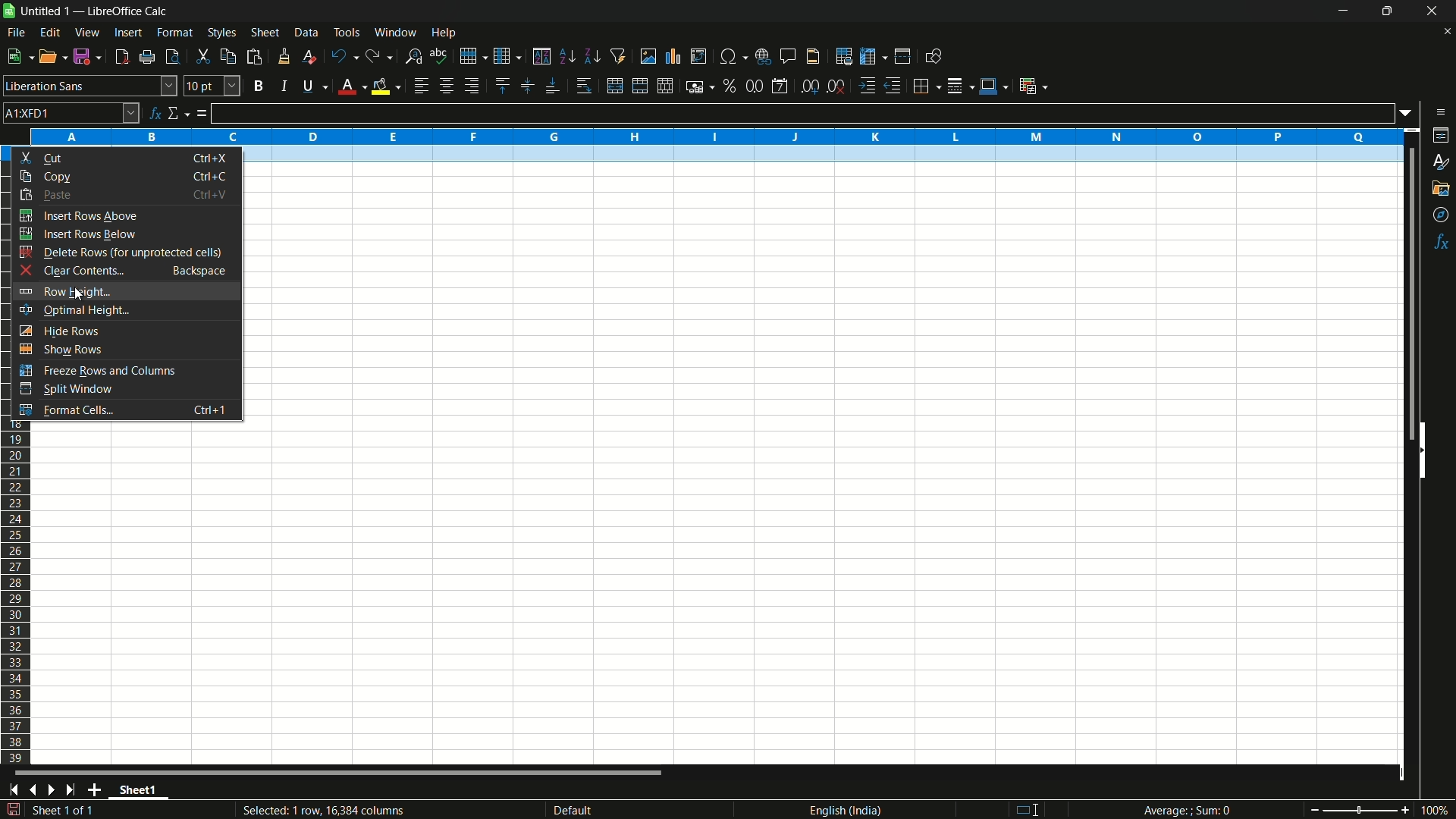  What do you see at coordinates (125, 196) in the screenshot?
I see `paste` at bounding box center [125, 196].